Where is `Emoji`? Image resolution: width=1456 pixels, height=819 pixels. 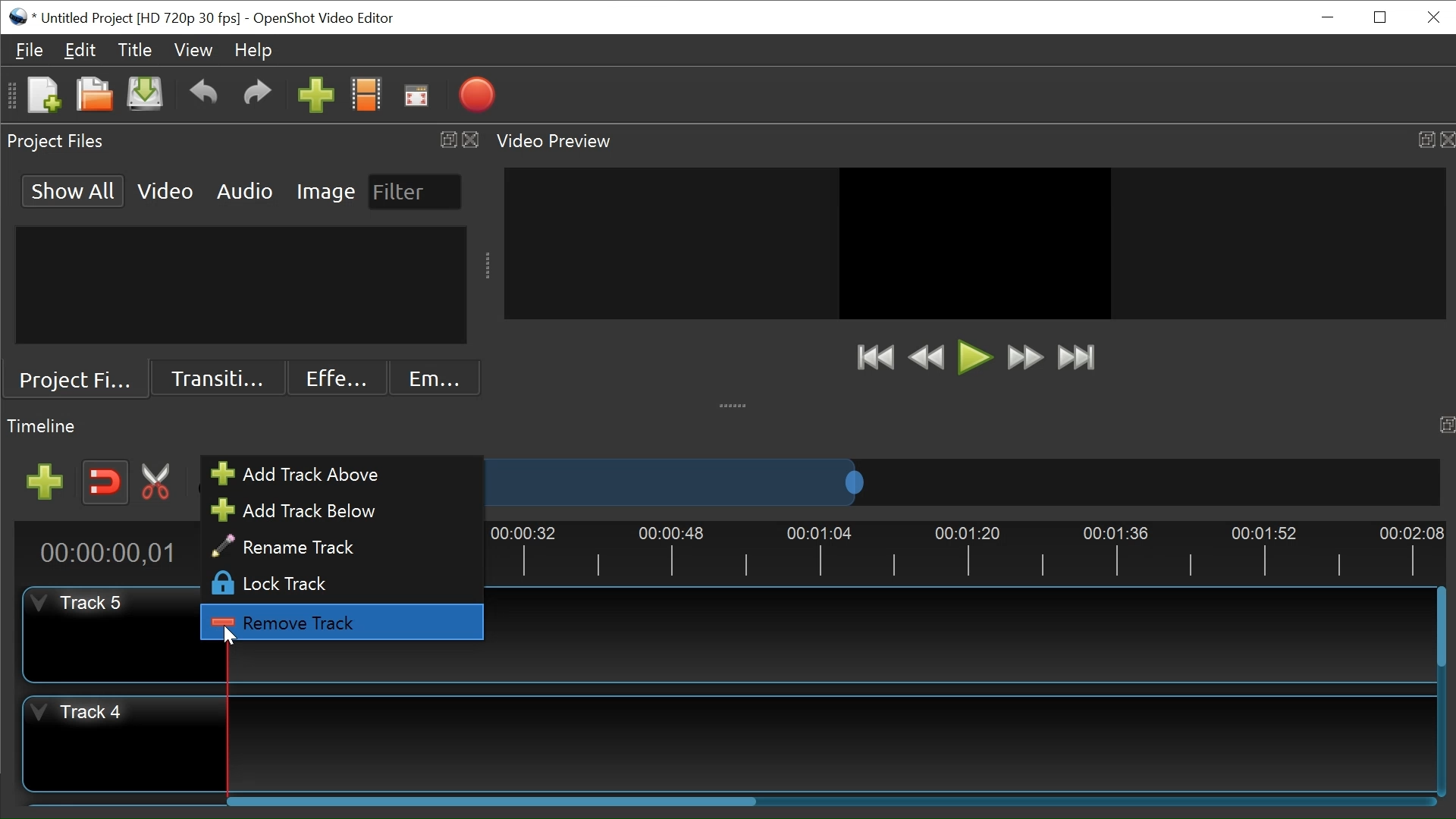 Emoji is located at coordinates (435, 378).